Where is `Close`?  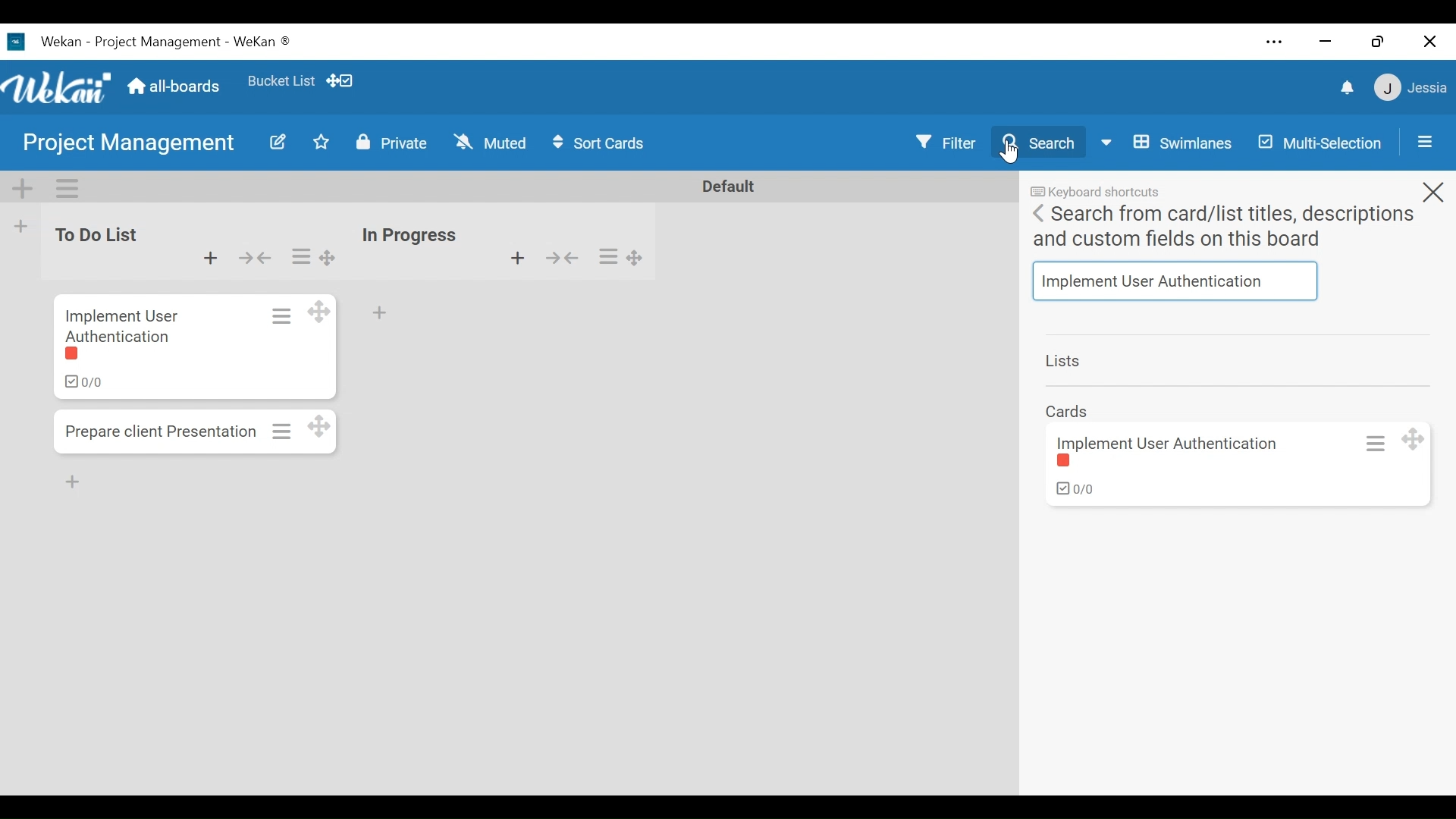
Close is located at coordinates (1428, 42).